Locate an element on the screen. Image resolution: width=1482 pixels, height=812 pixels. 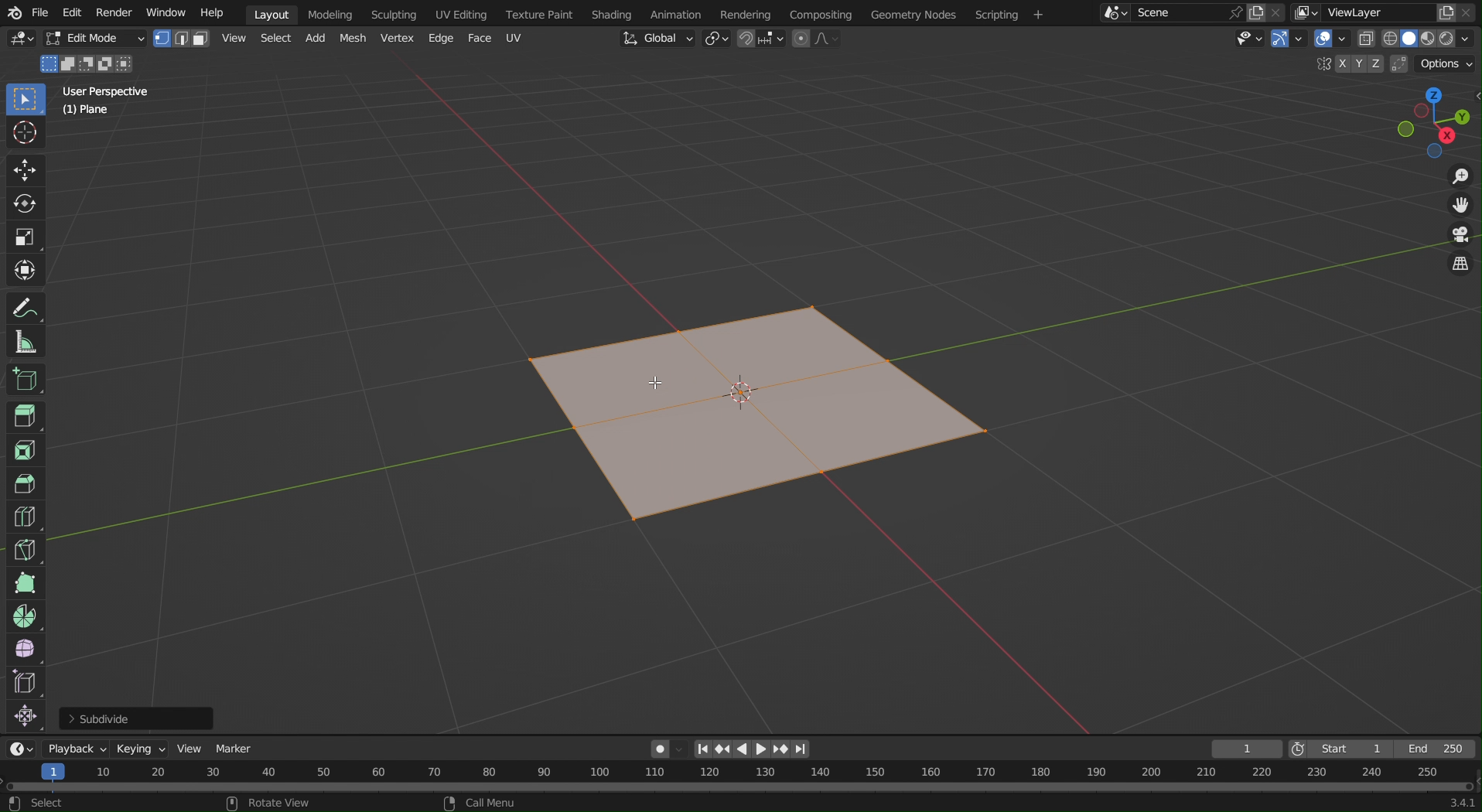
Playback is located at coordinates (77, 749).